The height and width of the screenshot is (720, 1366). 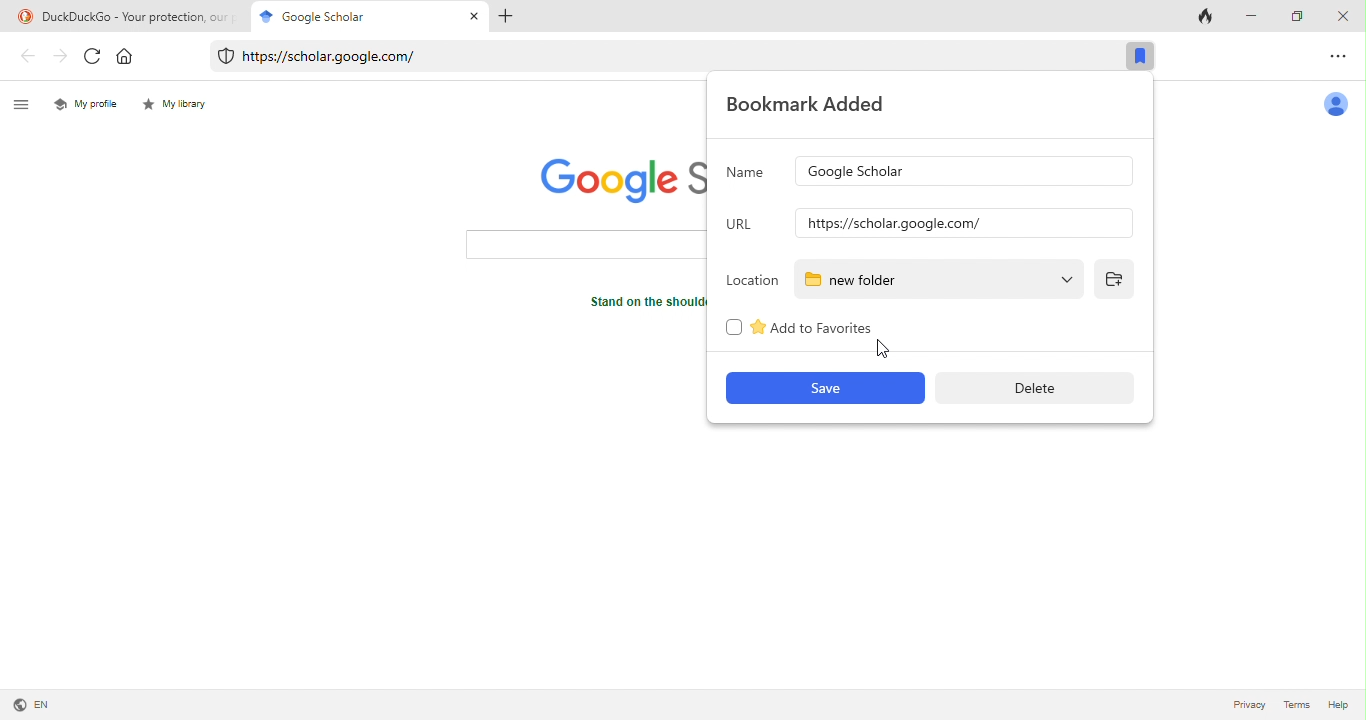 What do you see at coordinates (1296, 707) in the screenshot?
I see `terms` at bounding box center [1296, 707].